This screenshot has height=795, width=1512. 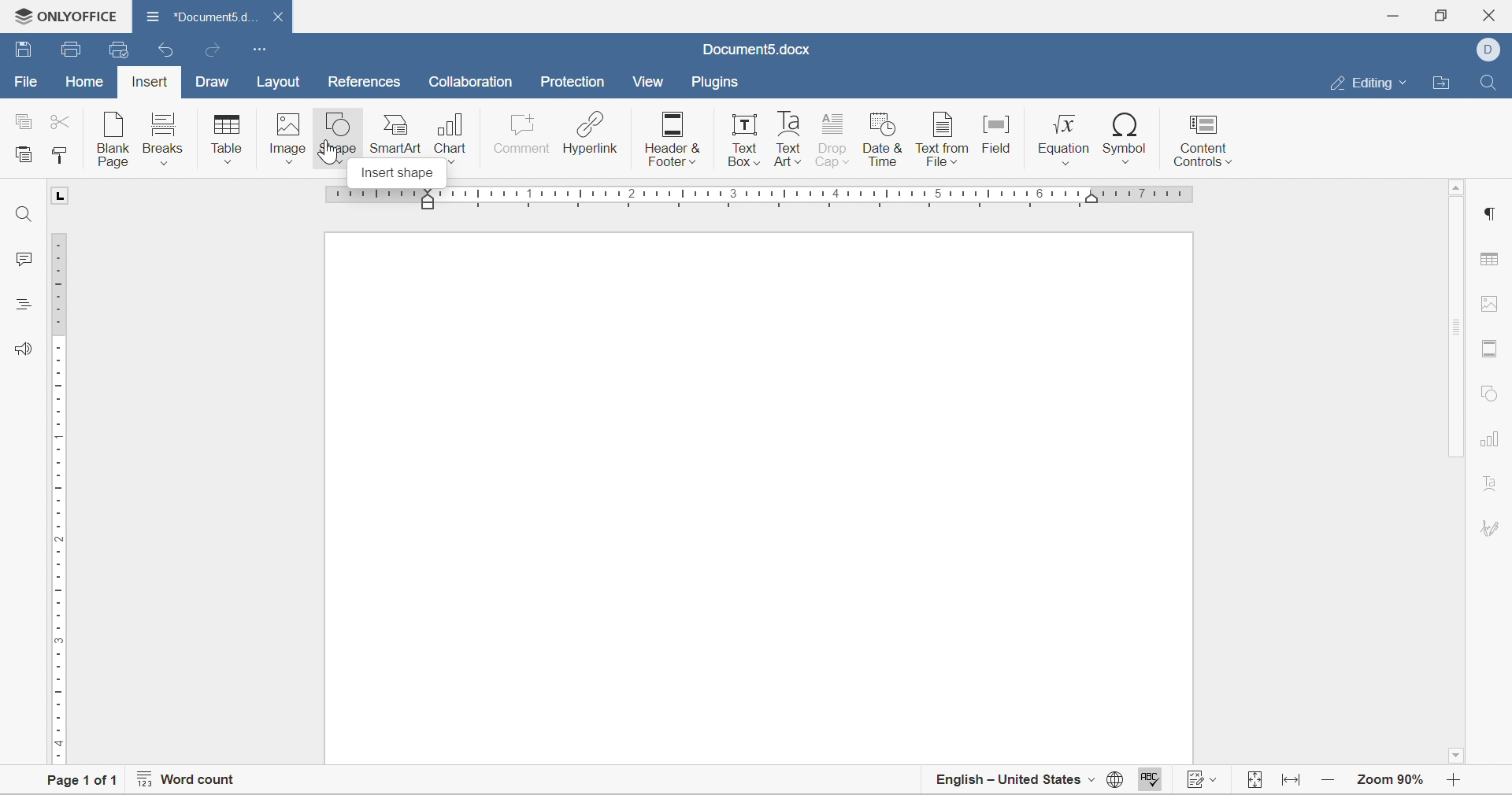 I want to click on insert shape, so click(x=396, y=172).